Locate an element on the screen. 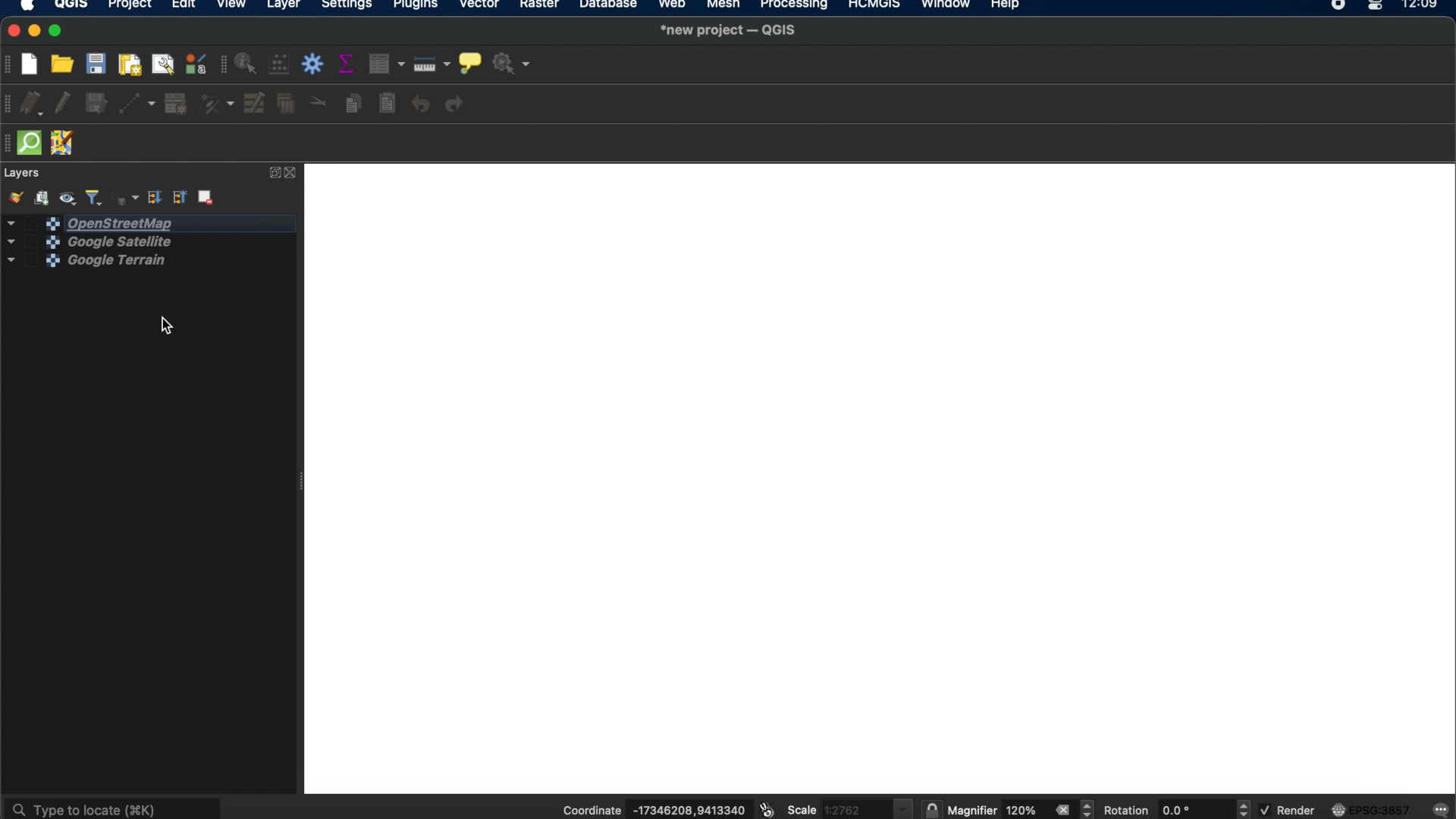 The width and height of the screenshot is (1456, 819). raster is located at coordinates (542, 7).